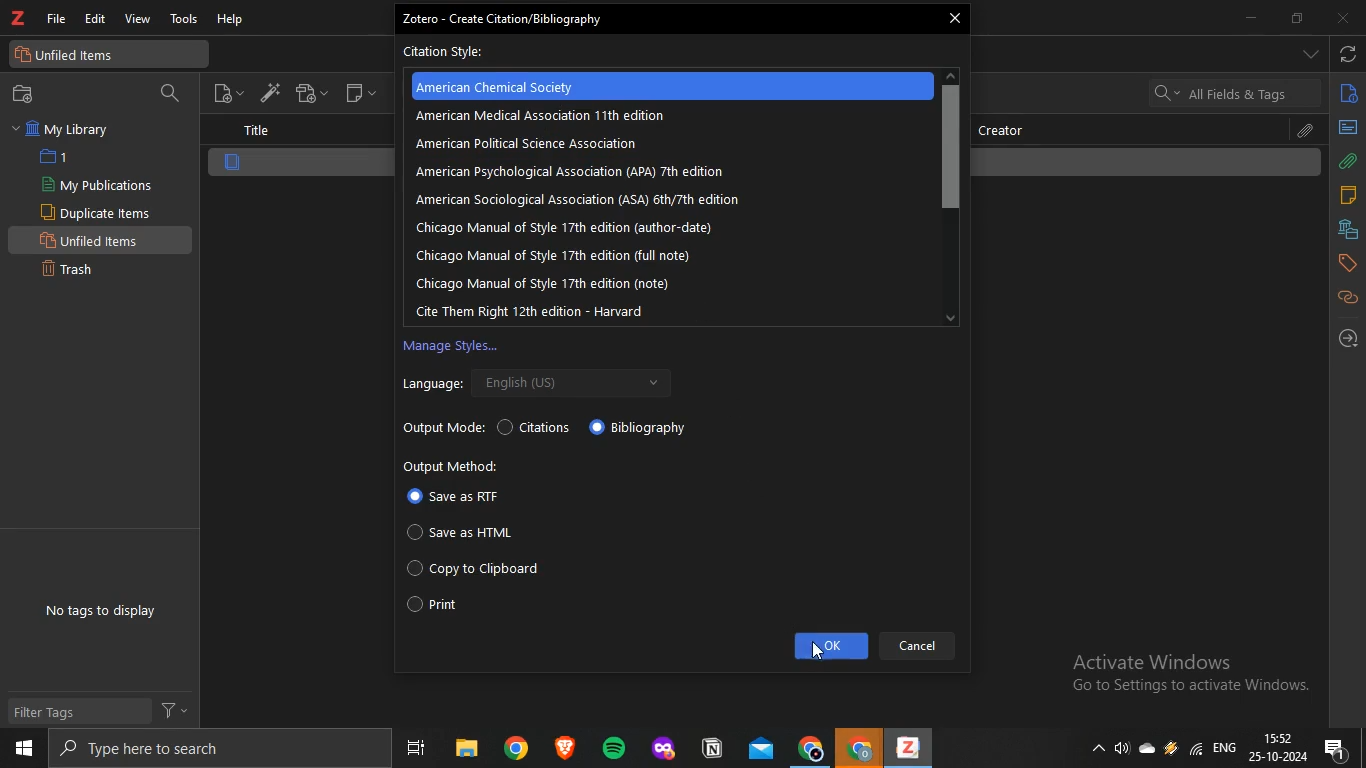  Describe the element at coordinates (415, 748) in the screenshot. I see `task view` at that location.